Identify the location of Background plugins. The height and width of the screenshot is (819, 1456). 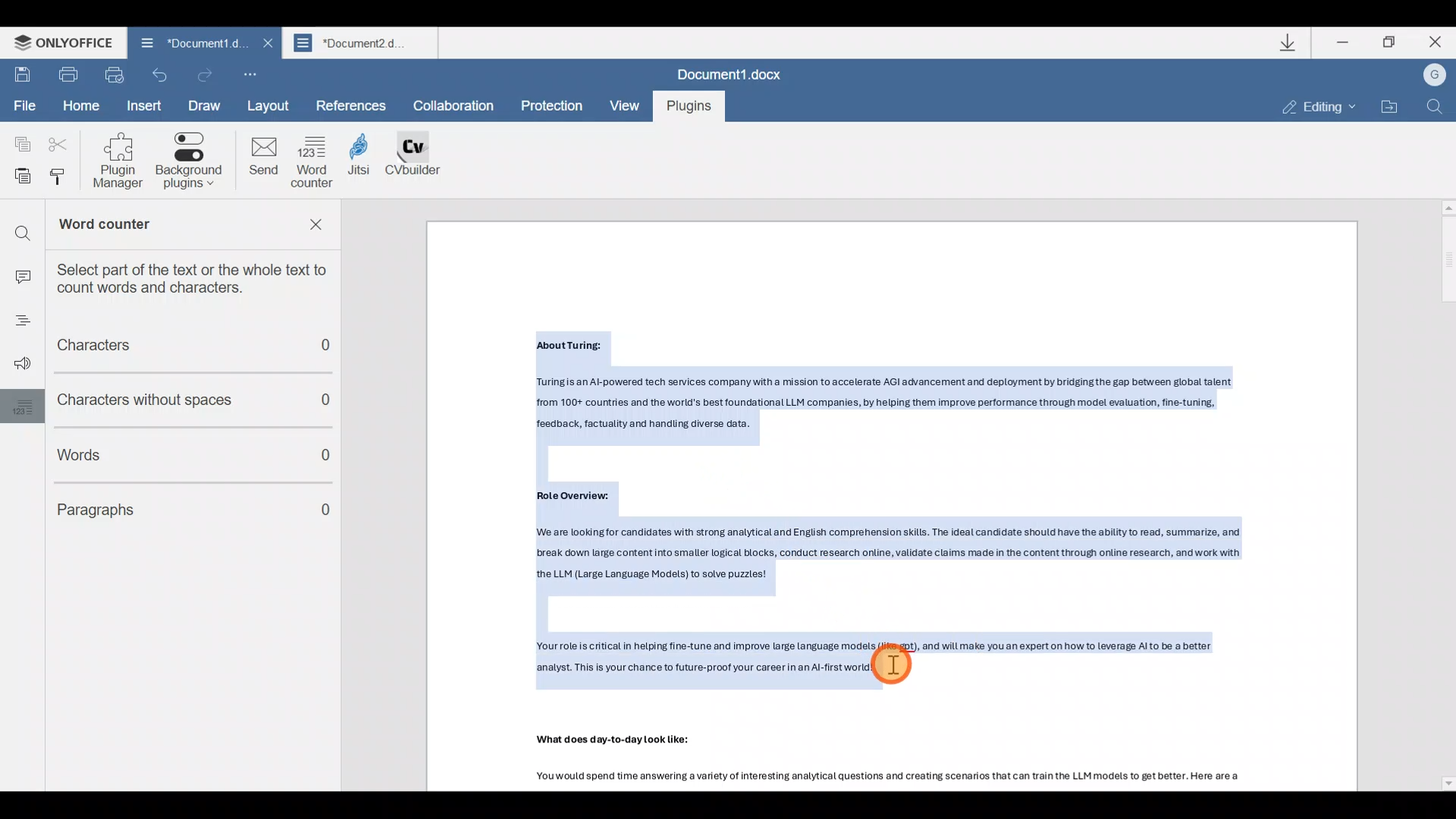
(192, 162).